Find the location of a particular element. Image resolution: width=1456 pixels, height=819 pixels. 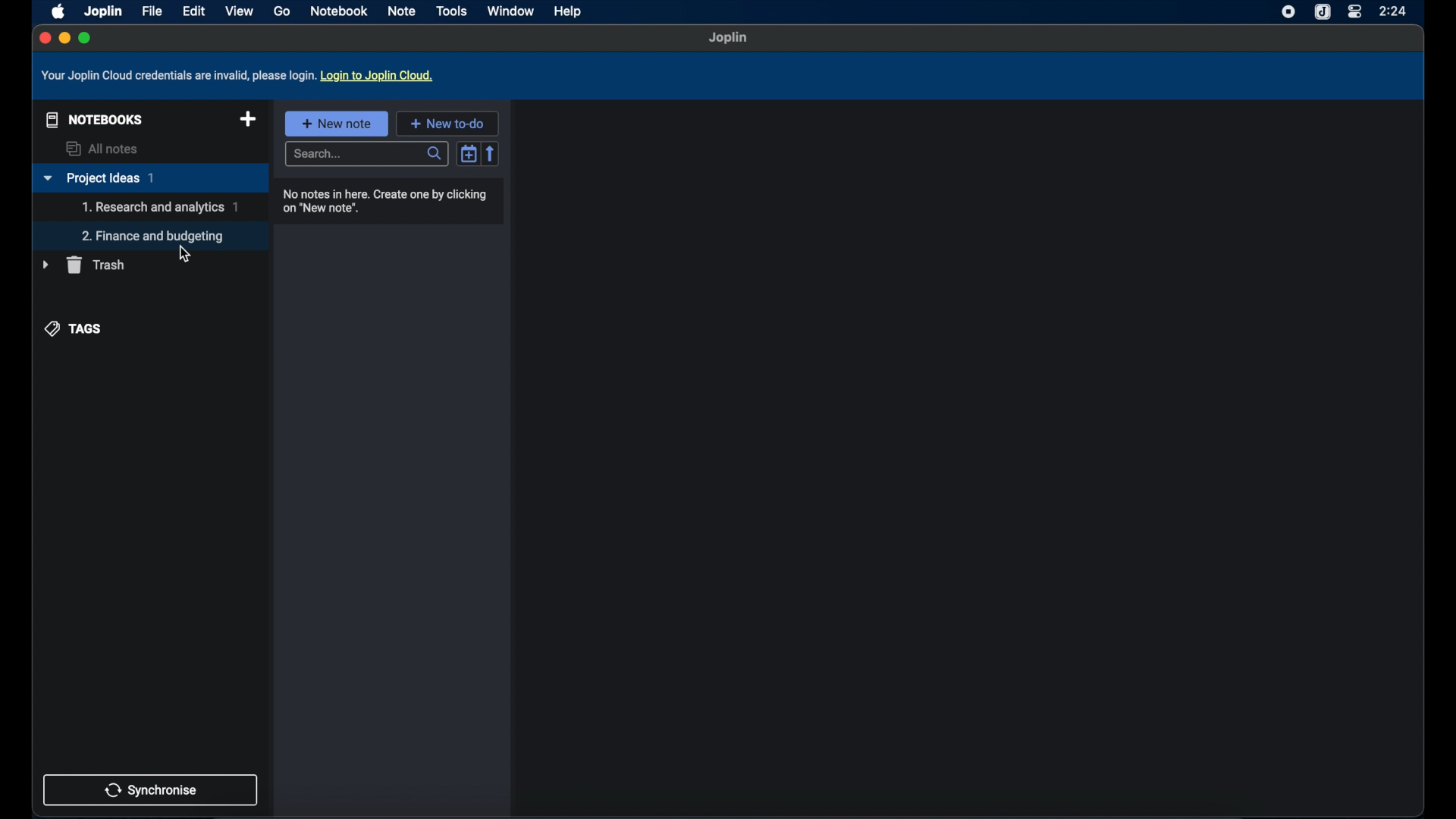

tools is located at coordinates (452, 11).